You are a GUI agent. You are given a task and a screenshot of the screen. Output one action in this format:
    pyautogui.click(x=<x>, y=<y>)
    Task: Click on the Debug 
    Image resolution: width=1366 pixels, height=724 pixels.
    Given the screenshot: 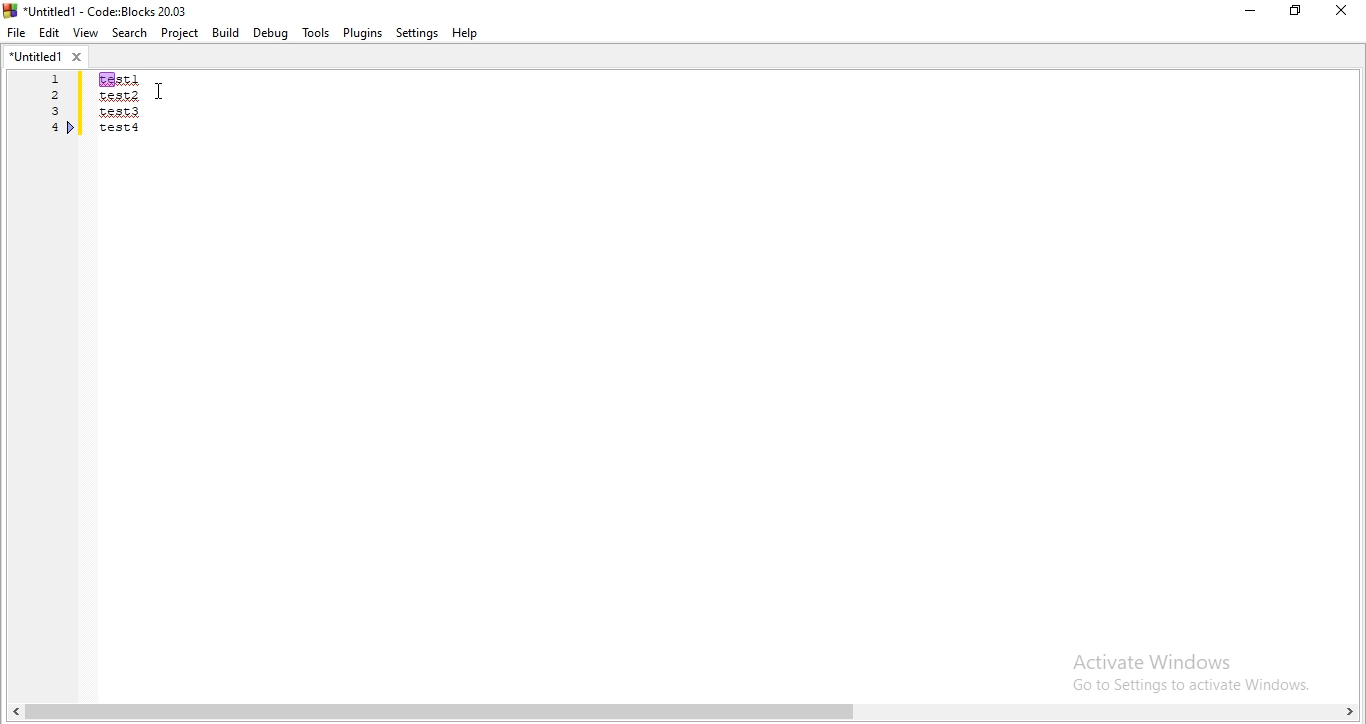 What is the action you would take?
    pyautogui.click(x=269, y=31)
    